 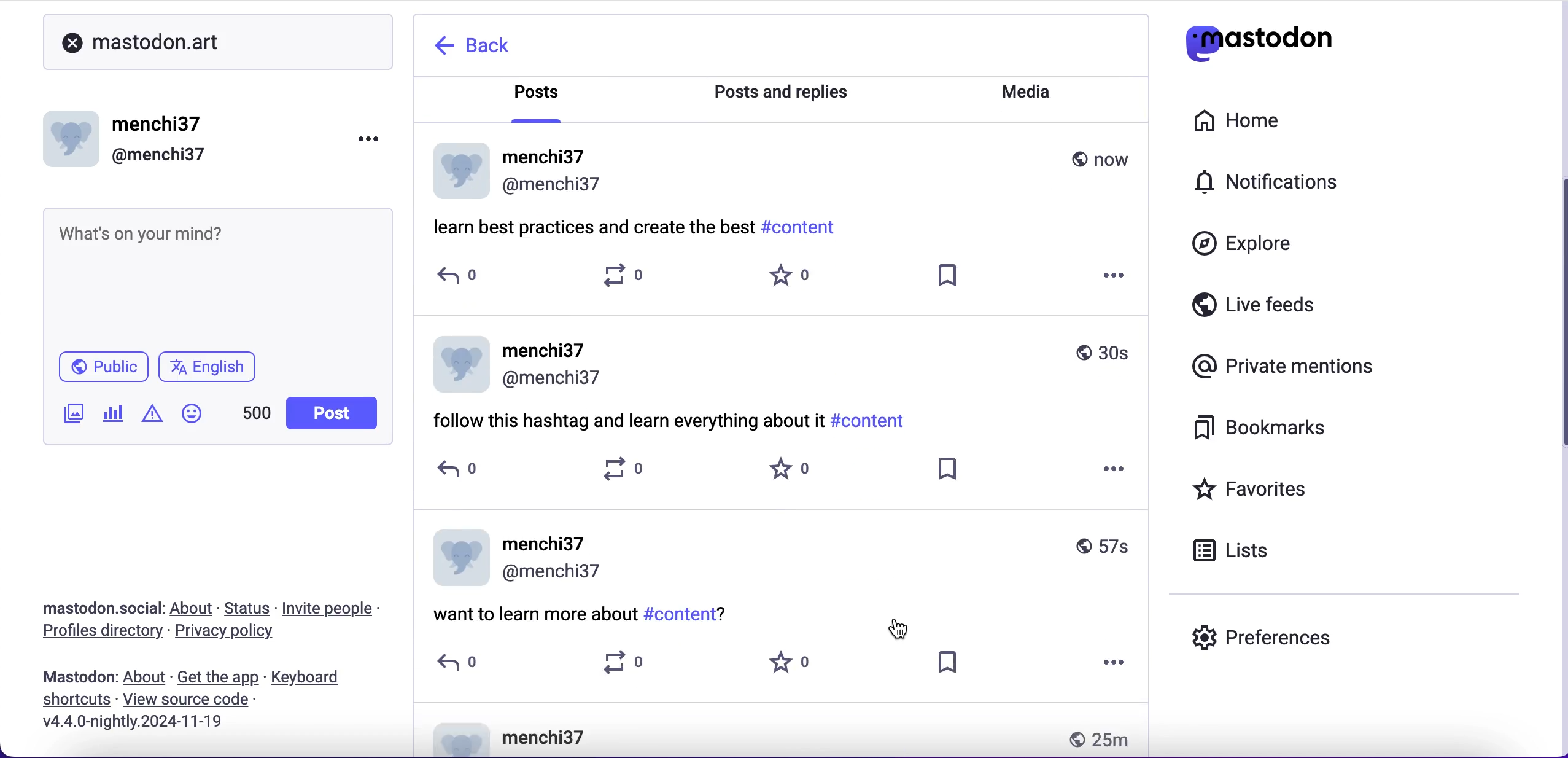 What do you see at coordinates (146, 678) in the screenshot?
I see `about` at bounding box center [146, 678].